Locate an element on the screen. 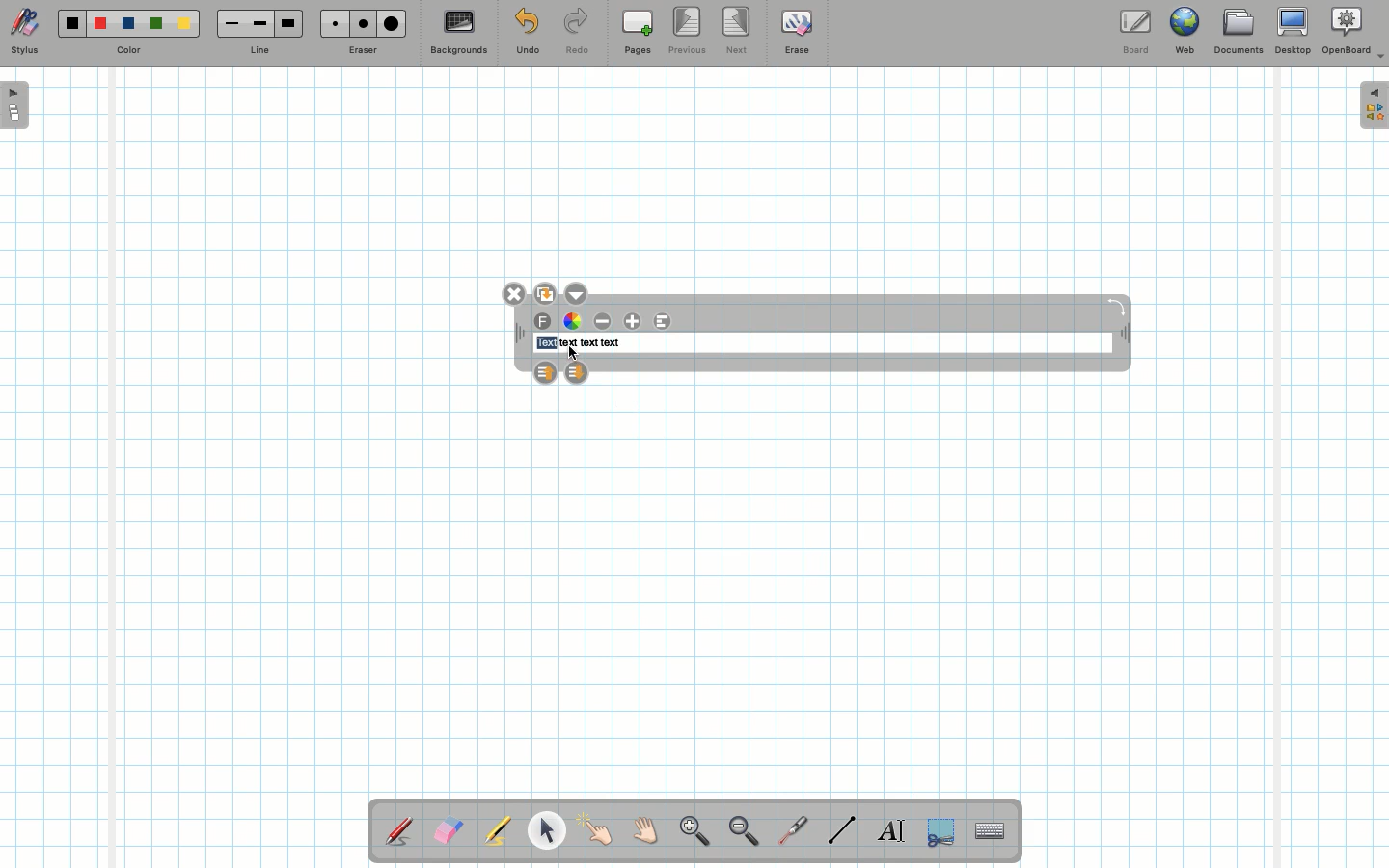 The height and width of the screenshot is (868, 1389). Laser pointer is located at coordinates (789, 831).